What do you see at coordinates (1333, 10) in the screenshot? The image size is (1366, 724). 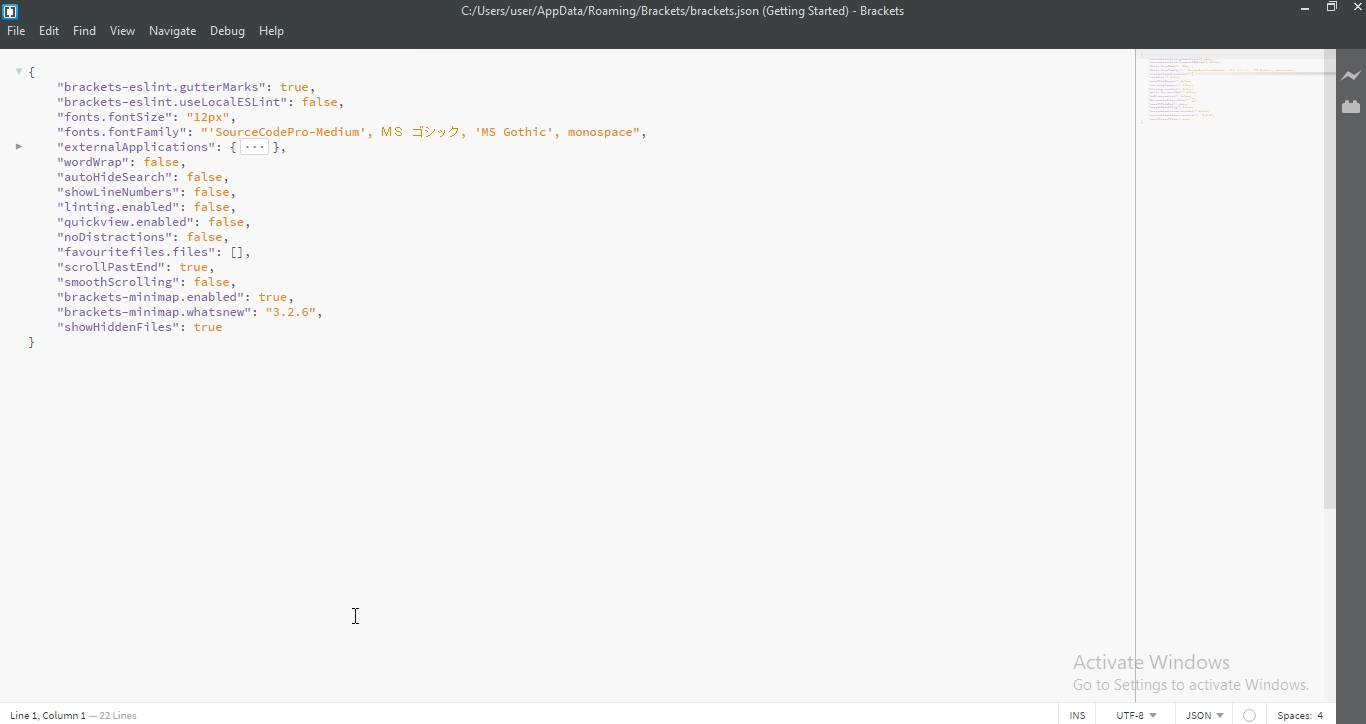 I see `Restore` at bounding box center [1333, 10].